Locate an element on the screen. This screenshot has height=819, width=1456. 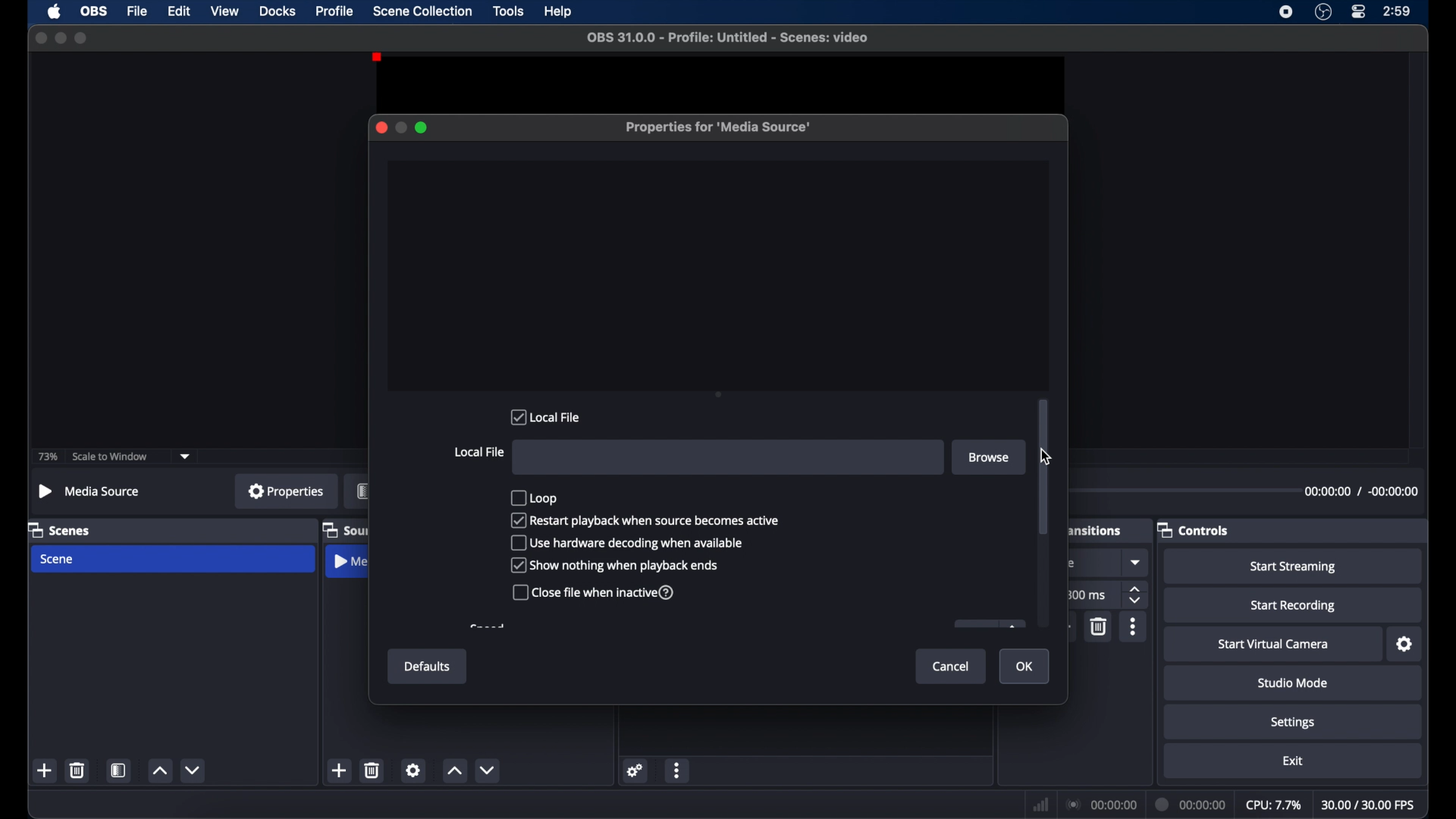
scale to window is located at coordinates (112, 456).